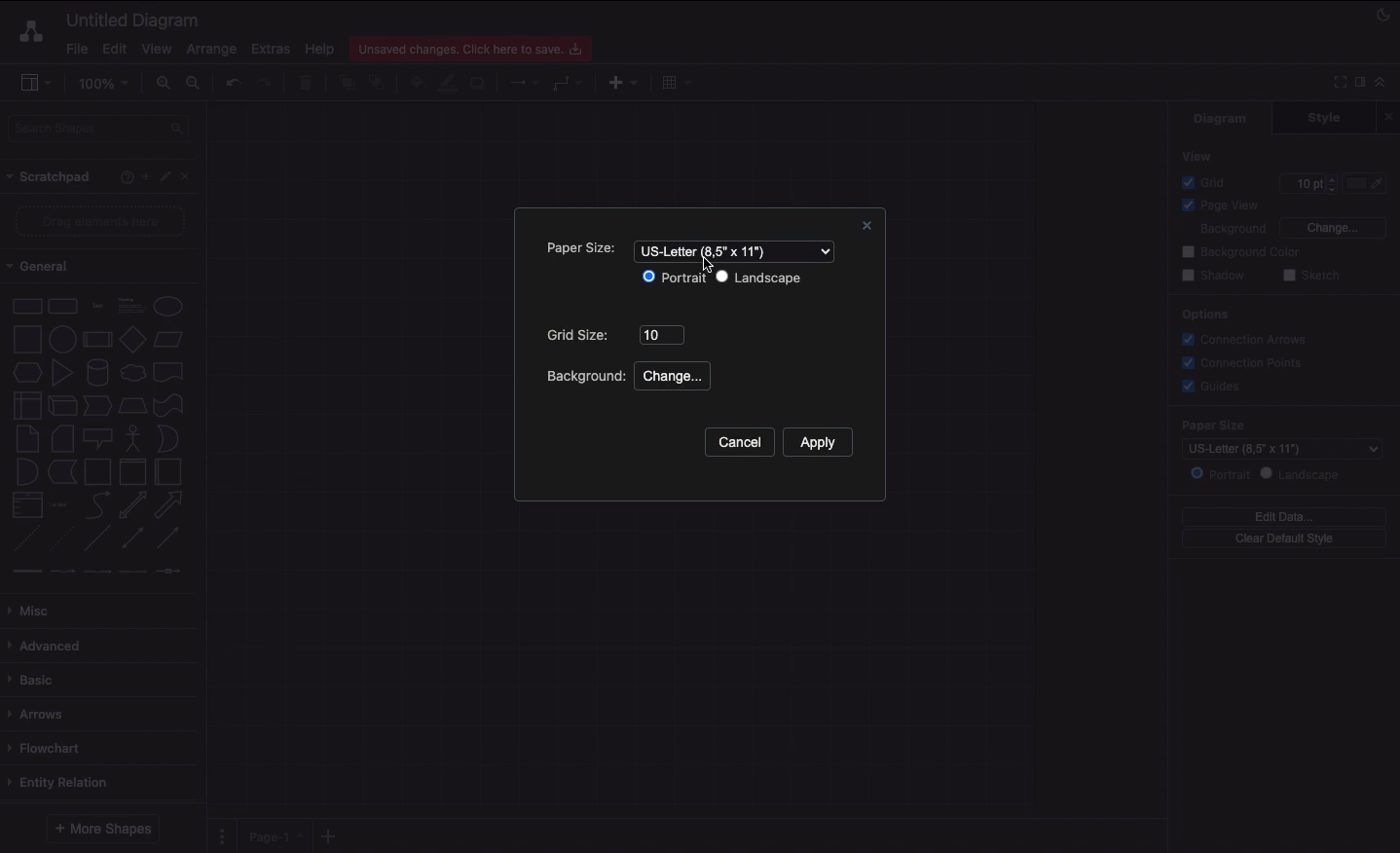 The width and height of the screenshot is (1400, 853). Describe the element at coordinates (133, 19) in the screenshot. I see `Untitled diagram` at that location.